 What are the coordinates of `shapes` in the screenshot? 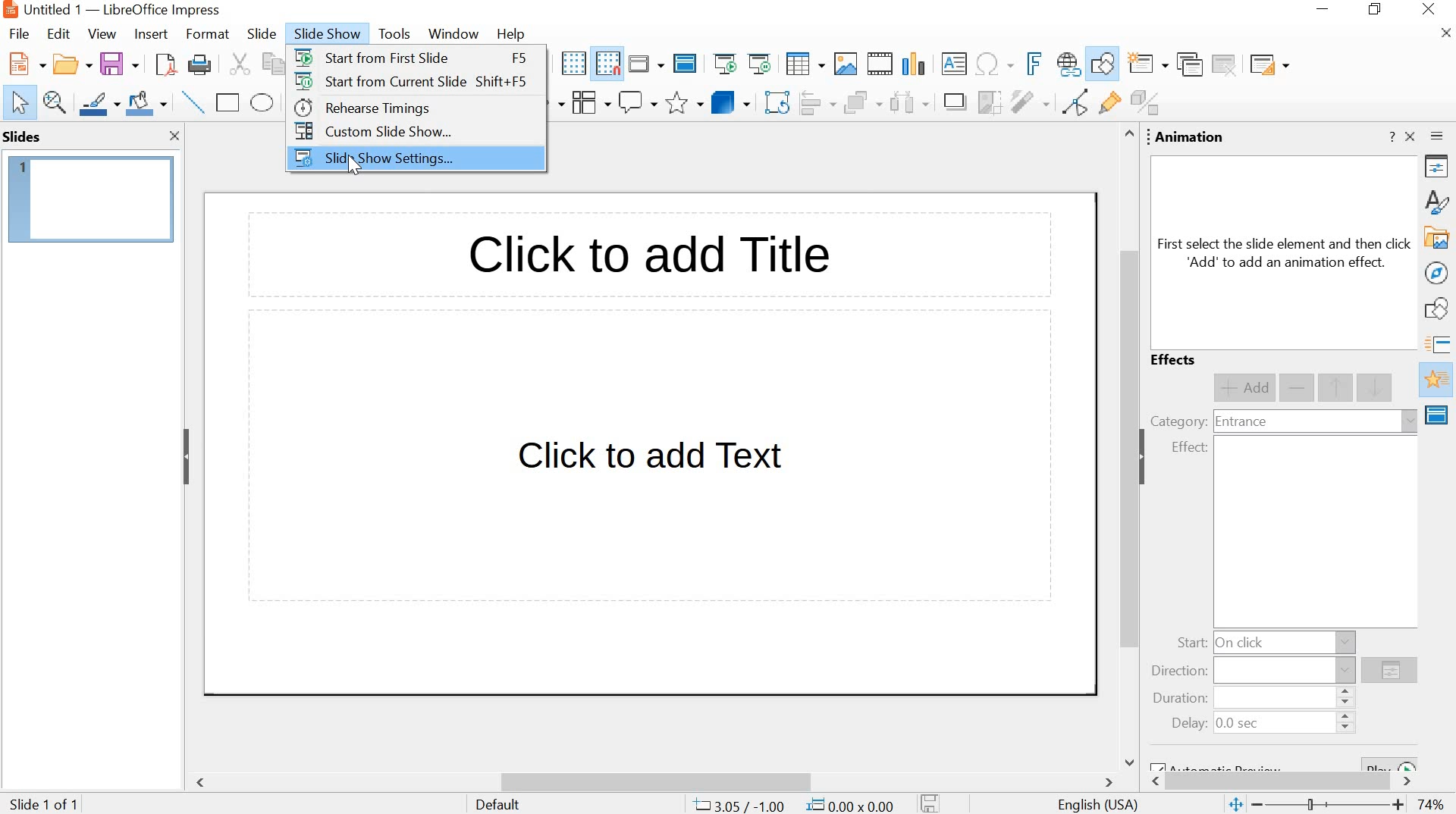 It's located at (1439, 311).